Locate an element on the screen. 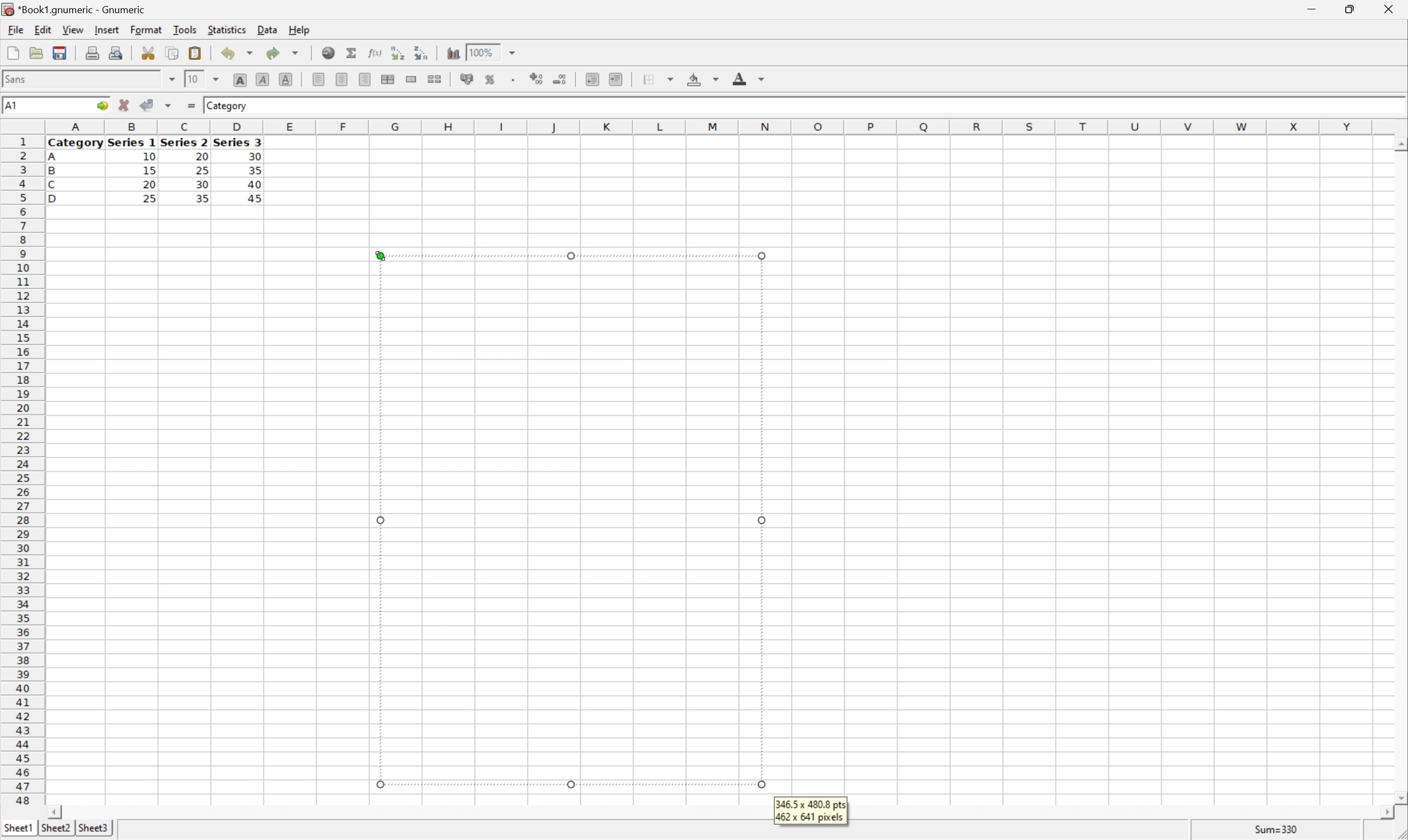 The image size is (1408, 840). A is located at coordinates (54, 158).